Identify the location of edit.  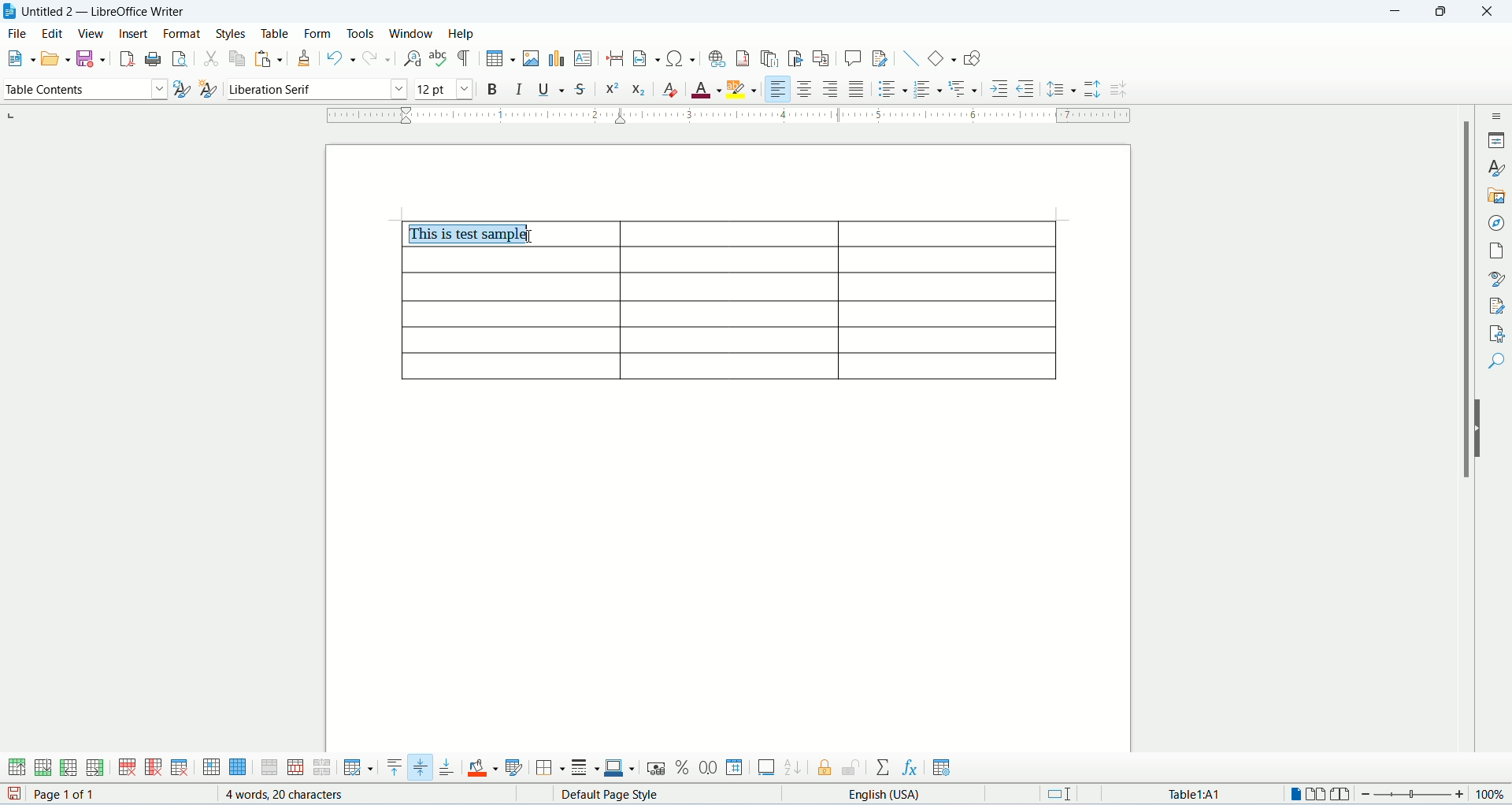
(54, 33).